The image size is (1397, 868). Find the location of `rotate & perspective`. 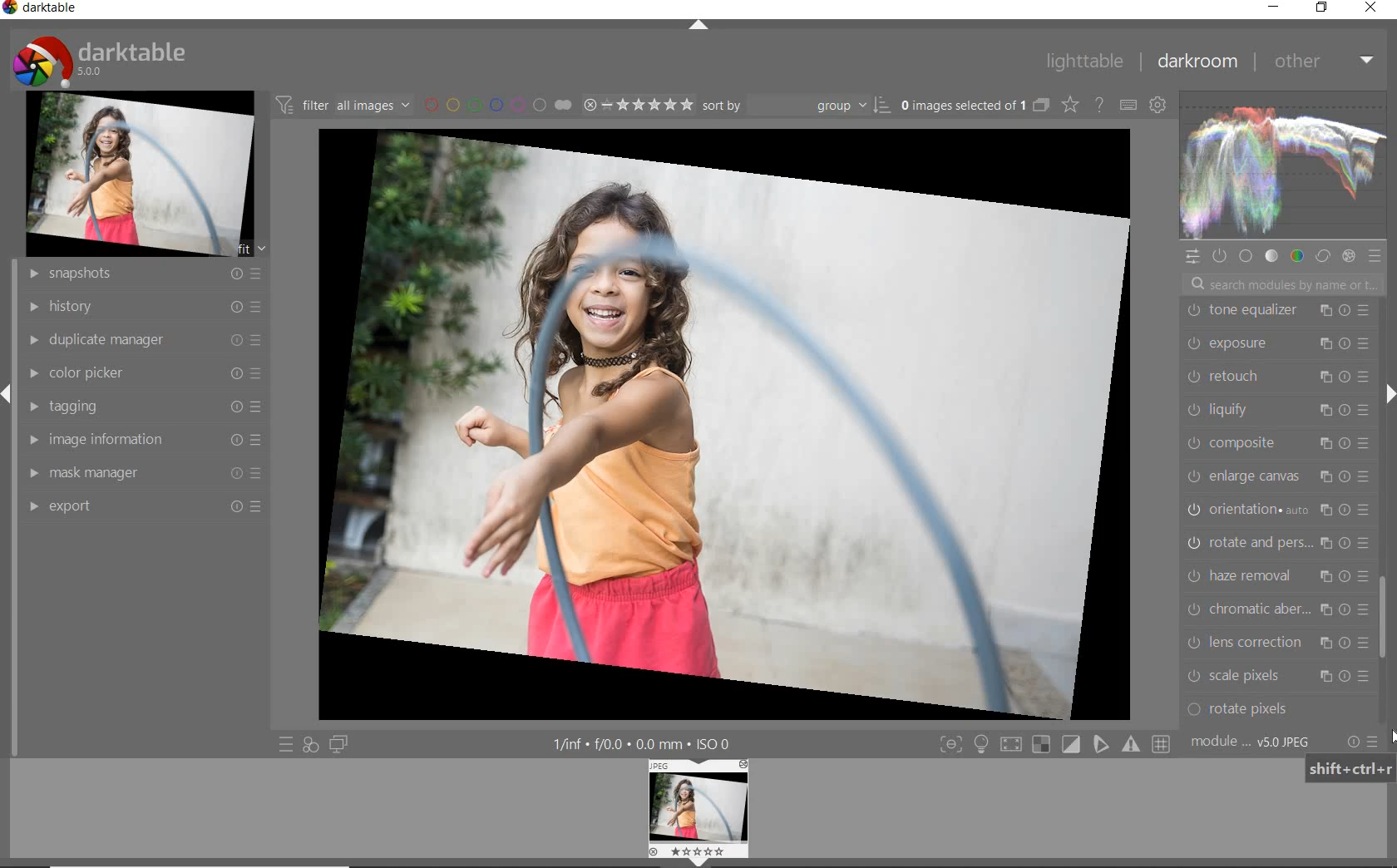

rotate & perspective is located at coordinates (1277, 541).